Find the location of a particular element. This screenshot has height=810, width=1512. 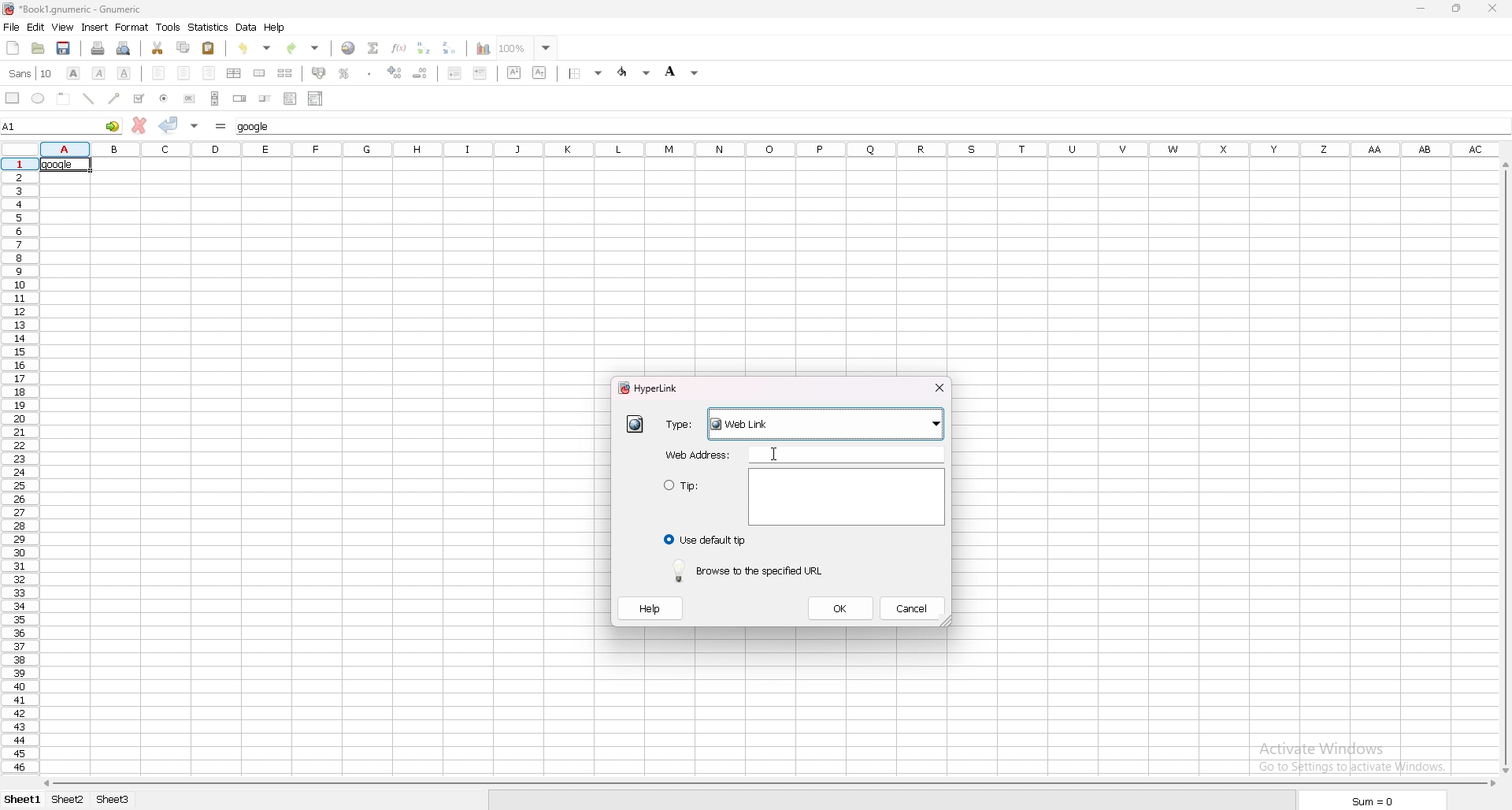

percentage is located at coordinates (344, 73).